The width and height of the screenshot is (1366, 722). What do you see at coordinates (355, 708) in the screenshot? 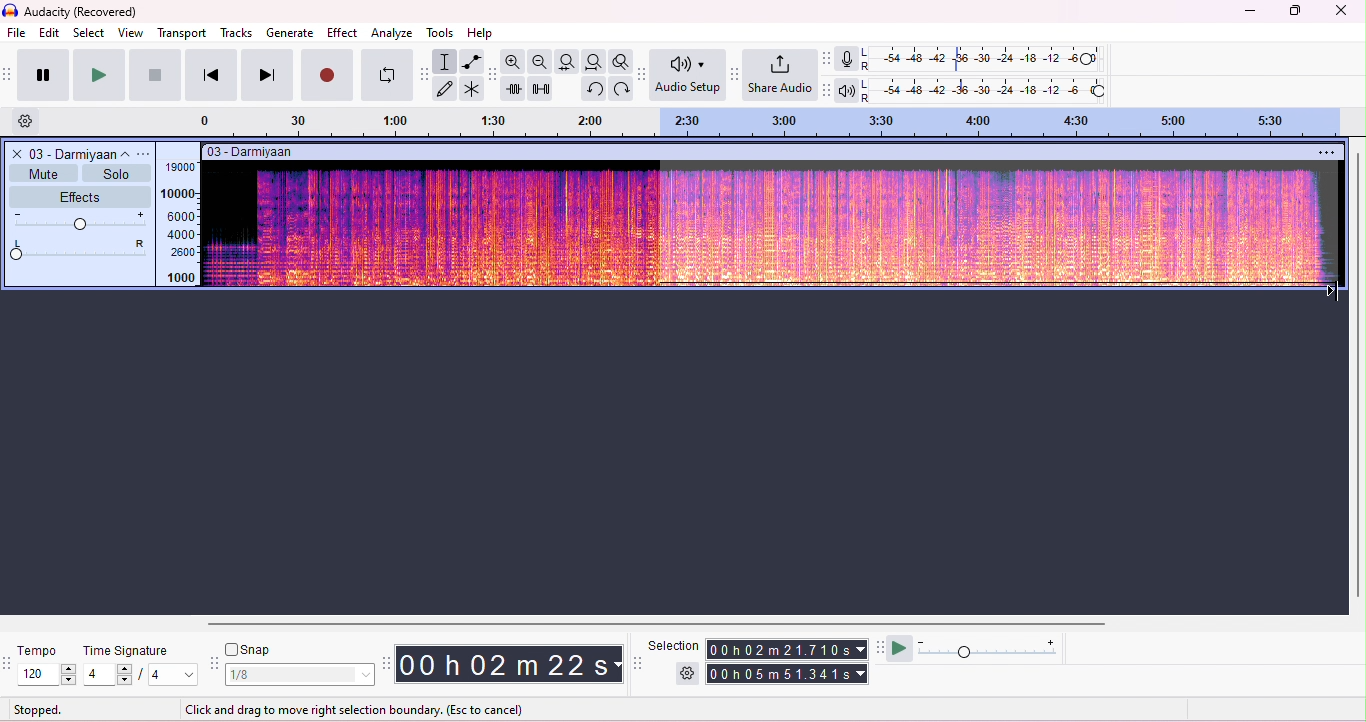
I see `Click and drag to move right selection boundary. (Esc to cancel)` at bounding box center [355, 708].